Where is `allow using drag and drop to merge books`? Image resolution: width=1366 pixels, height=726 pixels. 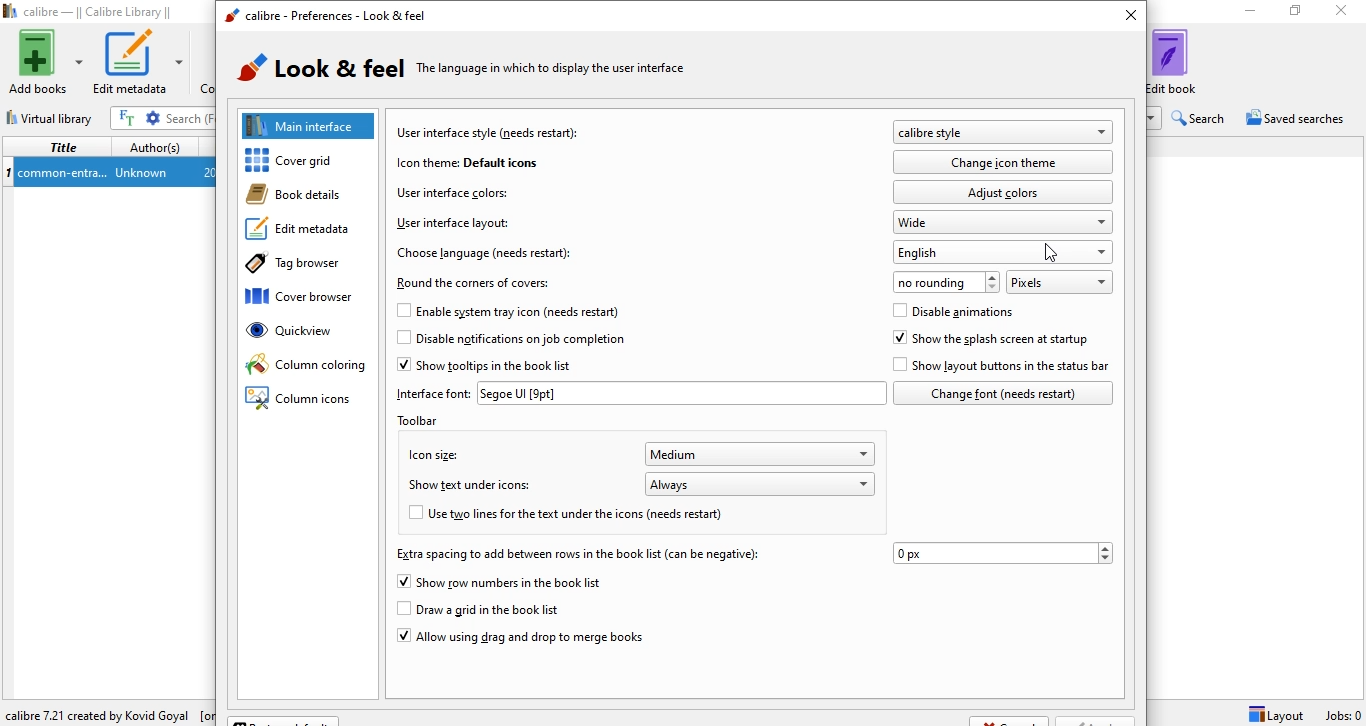 allow using drag and drop to merge books is located at coordinates (519, 640).